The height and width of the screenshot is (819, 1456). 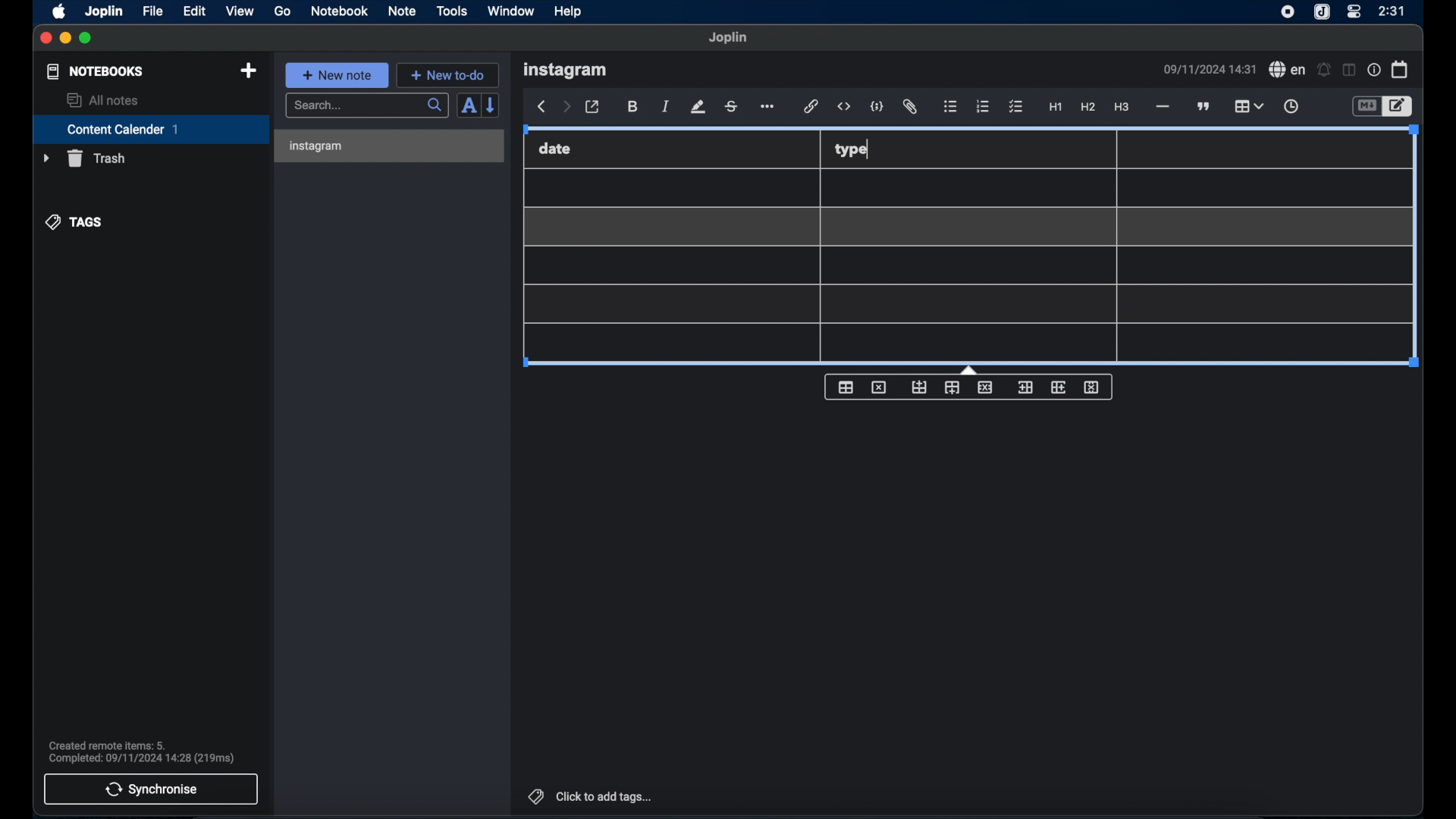 What do you see at coordinates (556, 149) in the screenshot?
I see `date` at bounding box center [556, 149].